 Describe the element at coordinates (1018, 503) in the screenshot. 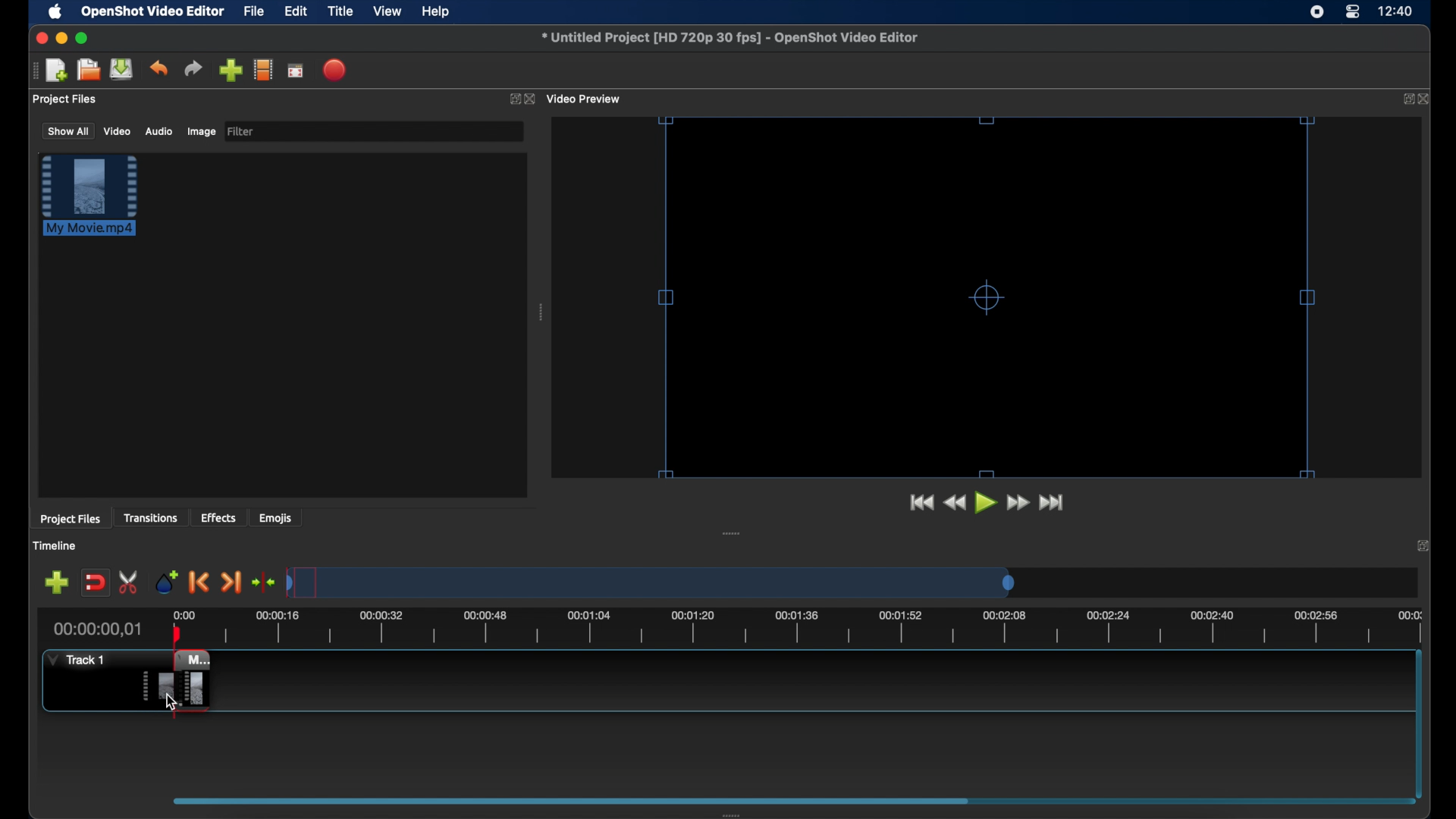

I see `fast forward` at that location.